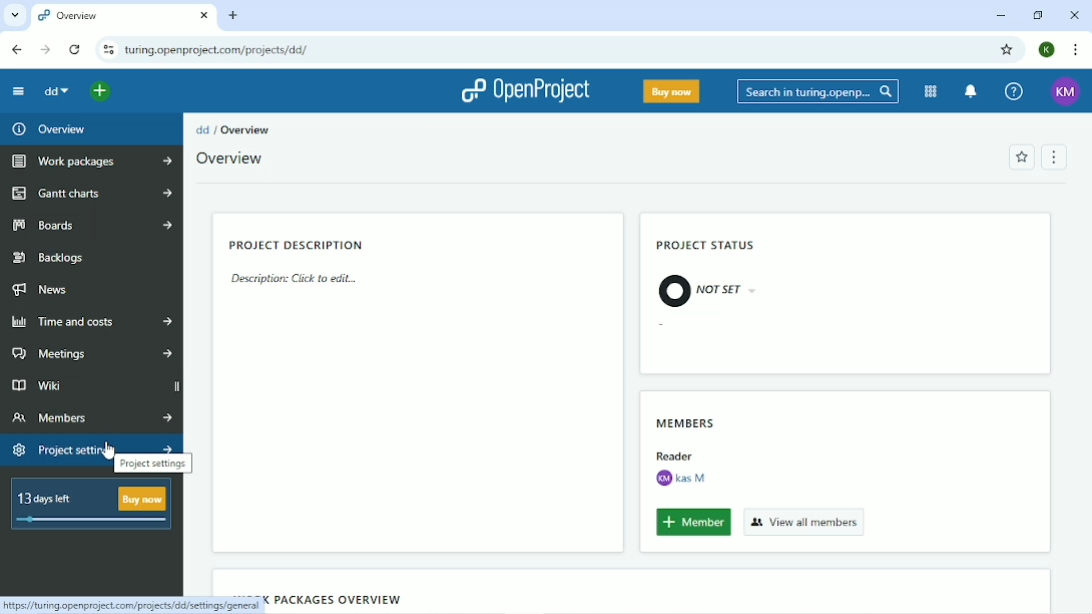 This screenshot has height=614, width=1092. I want to click on Not Set, so click(708, 291).